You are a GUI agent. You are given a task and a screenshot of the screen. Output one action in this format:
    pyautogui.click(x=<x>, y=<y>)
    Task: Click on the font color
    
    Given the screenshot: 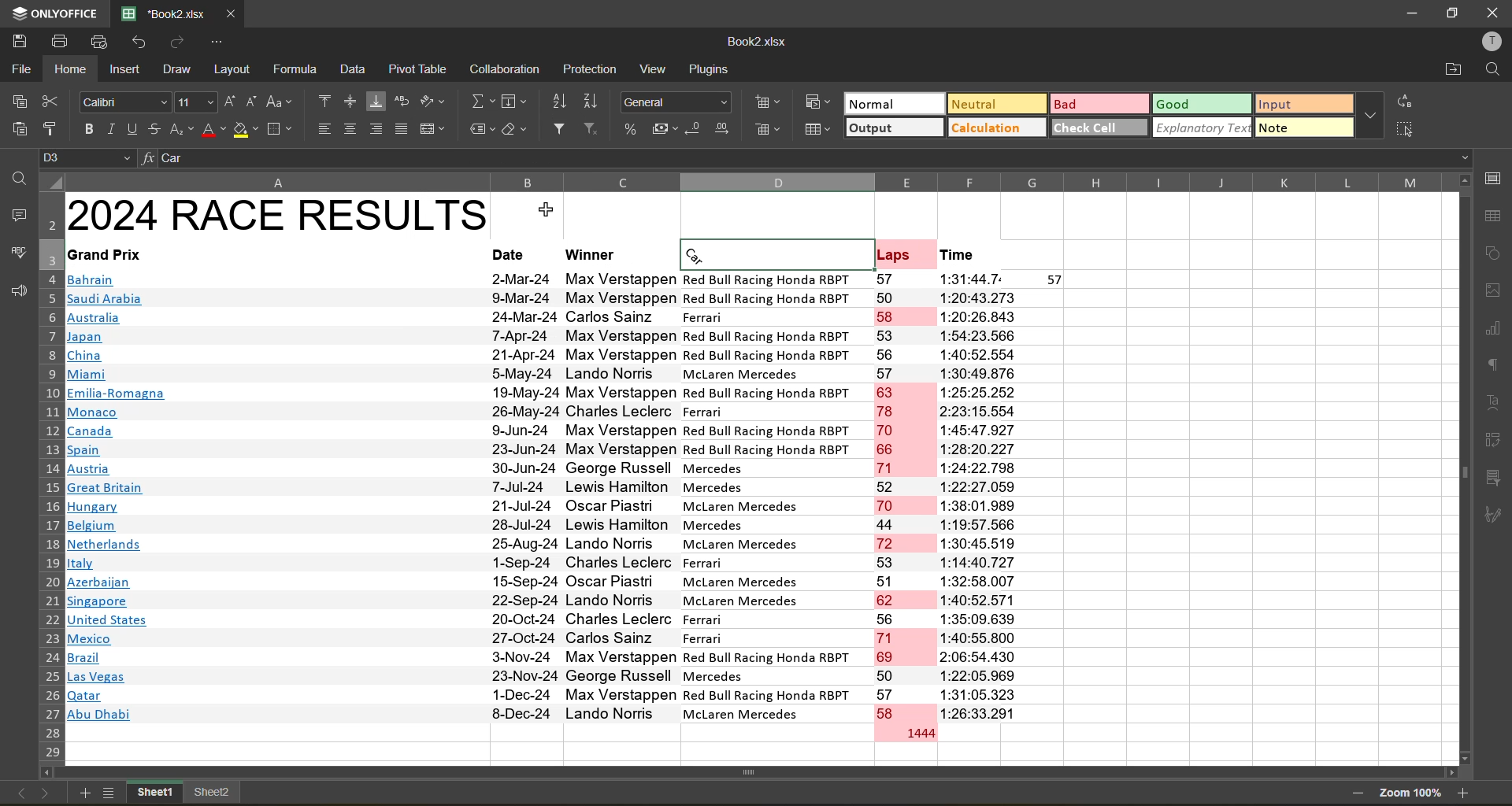 What is the action you would take?
    pyautogui.click(x=212, y=130)
    